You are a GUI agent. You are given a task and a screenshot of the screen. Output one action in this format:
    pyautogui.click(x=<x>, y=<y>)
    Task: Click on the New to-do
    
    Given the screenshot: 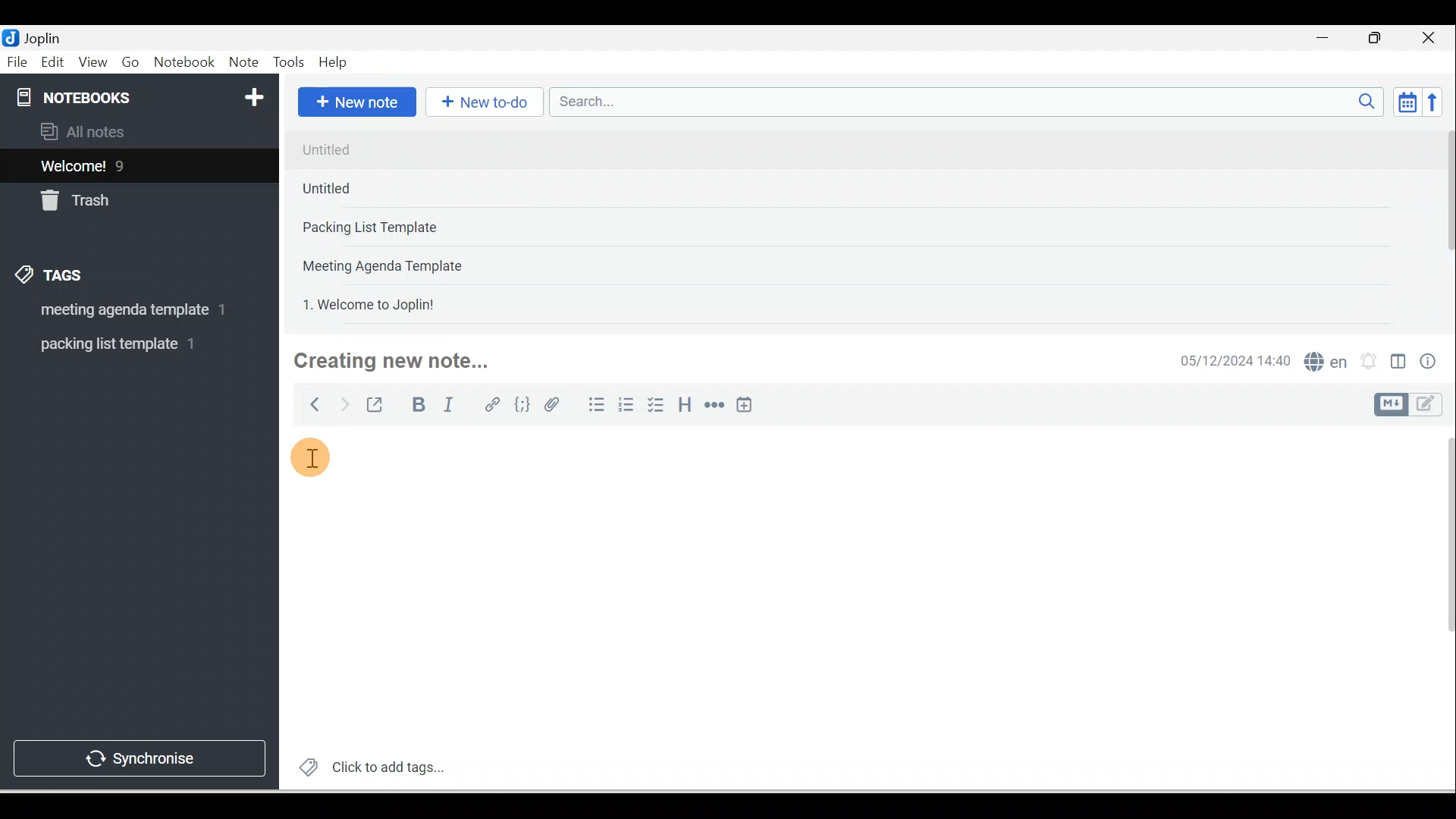 What is the action you would take?
    pyautogui.click(x=481, y=103)
    